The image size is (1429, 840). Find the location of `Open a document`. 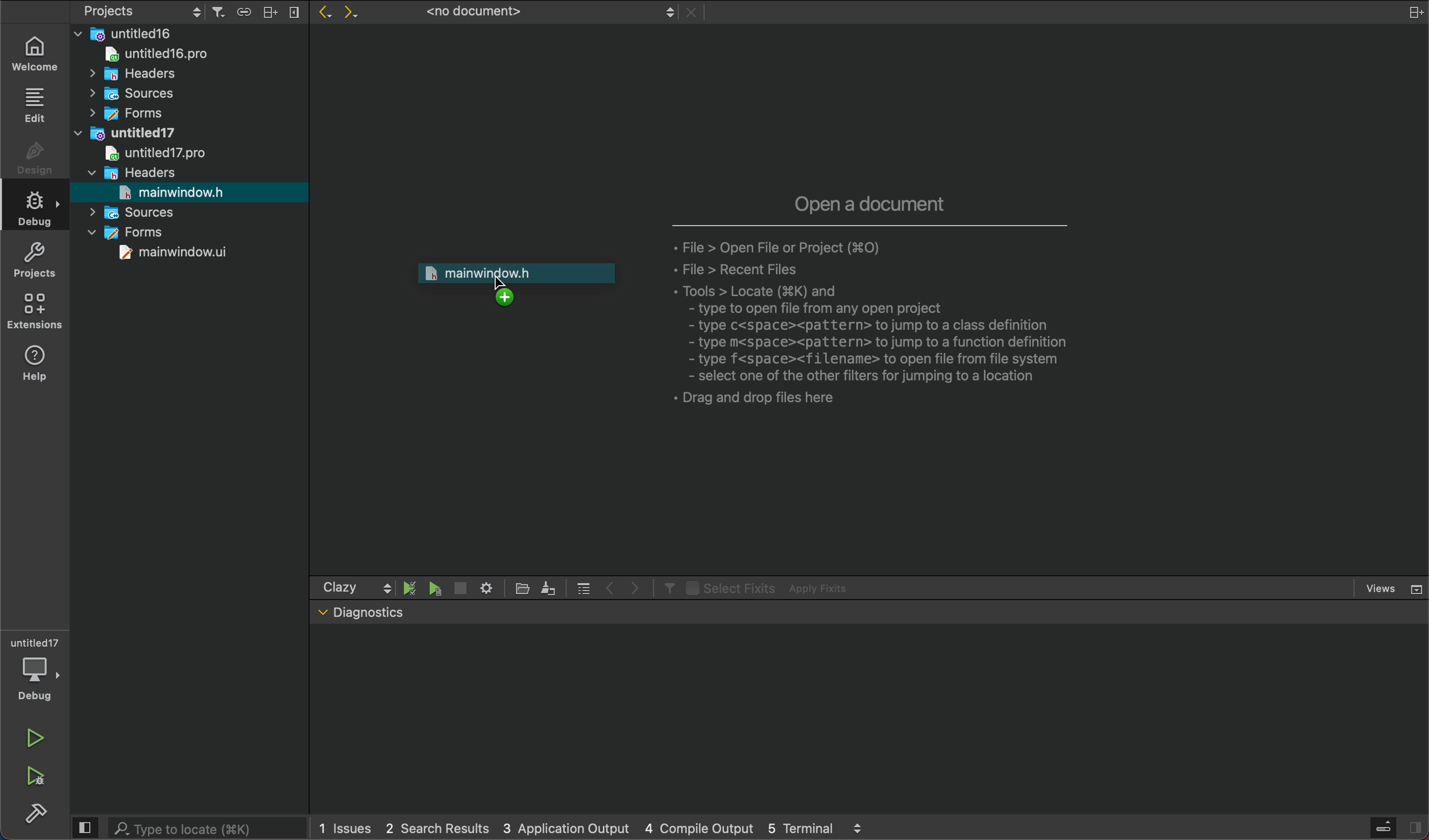

Open a document is located at coordinates (872, 201).